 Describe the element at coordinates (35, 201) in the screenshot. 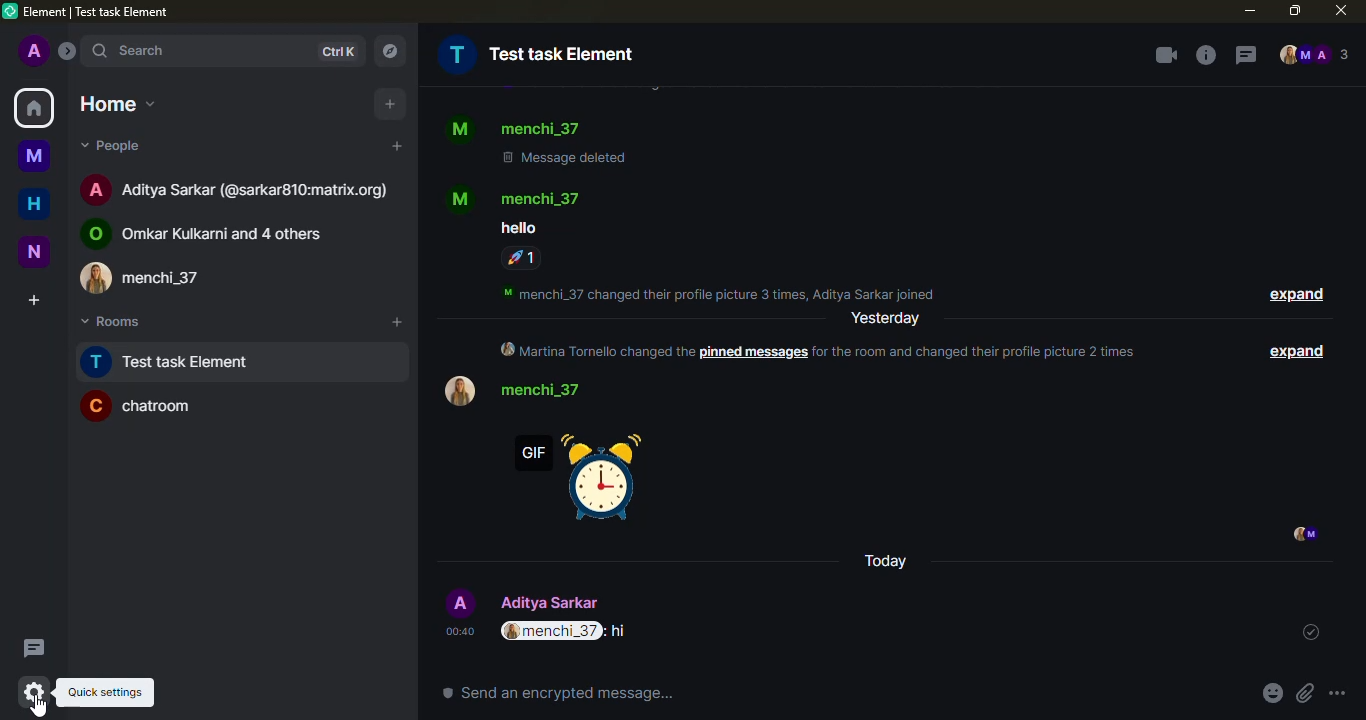

I see `home` at that location.